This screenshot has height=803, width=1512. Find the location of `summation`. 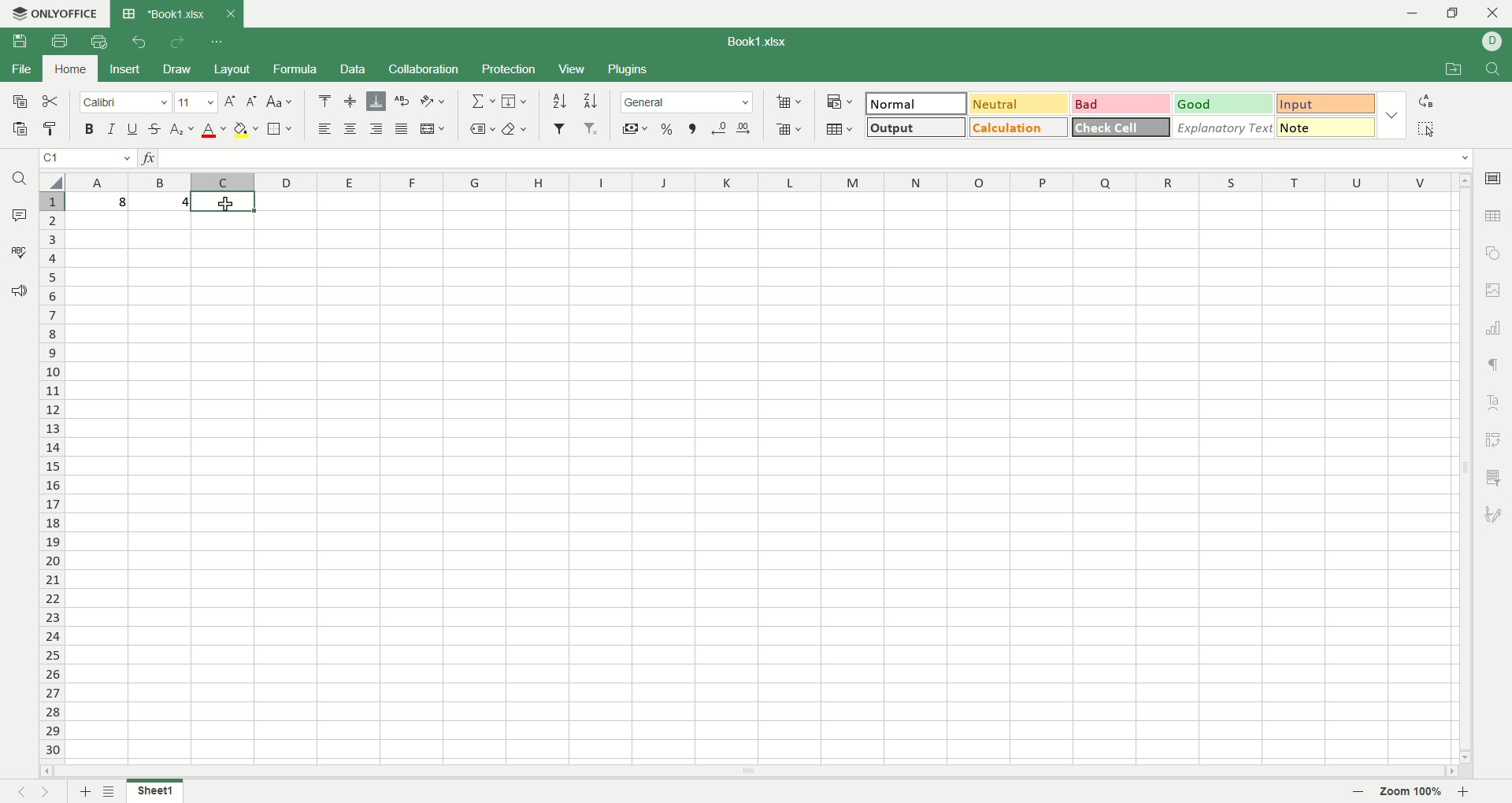

summation is located at coordinates (482, 101).